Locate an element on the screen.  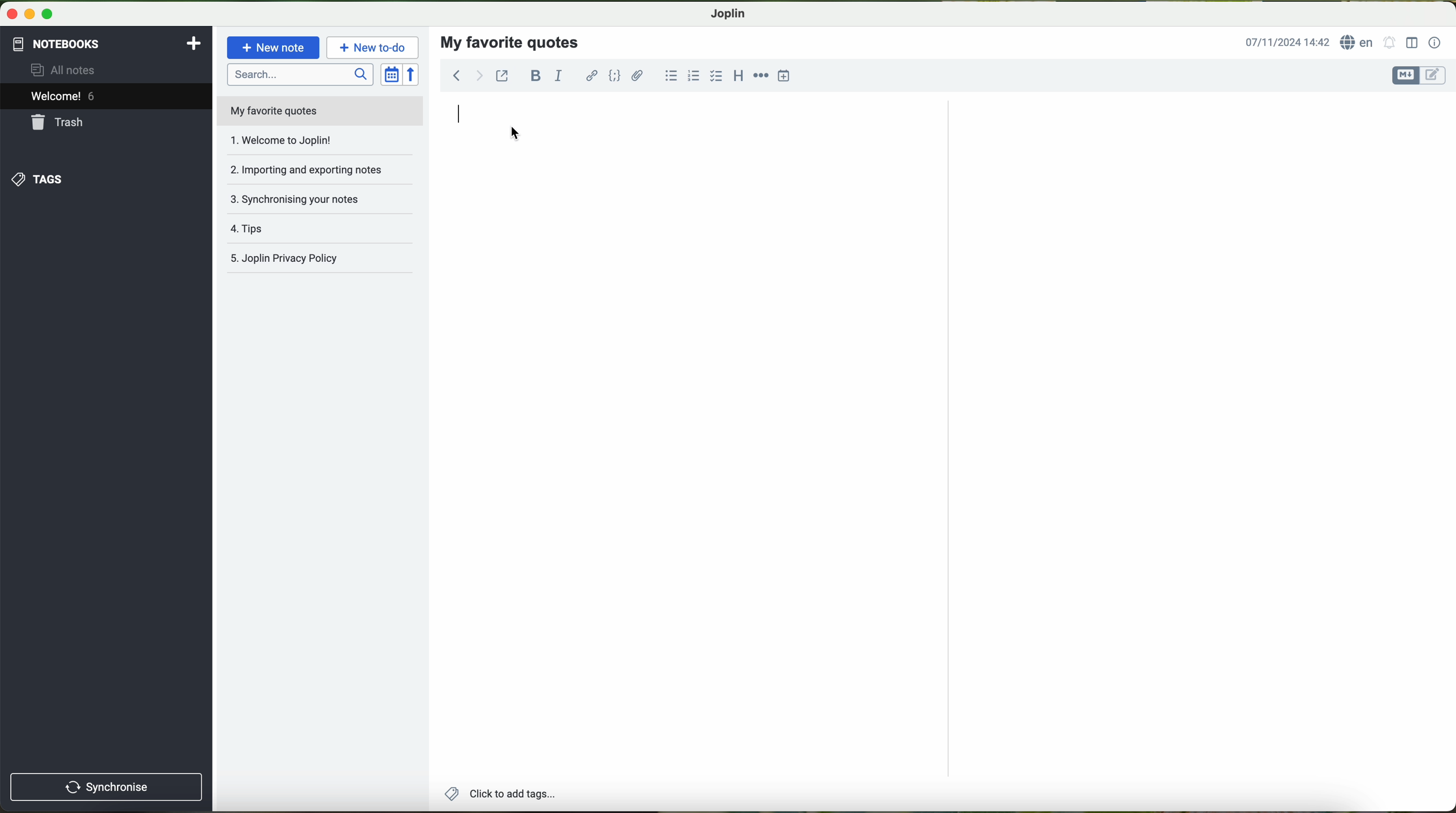
add tags is located at coordinates (500, 795).